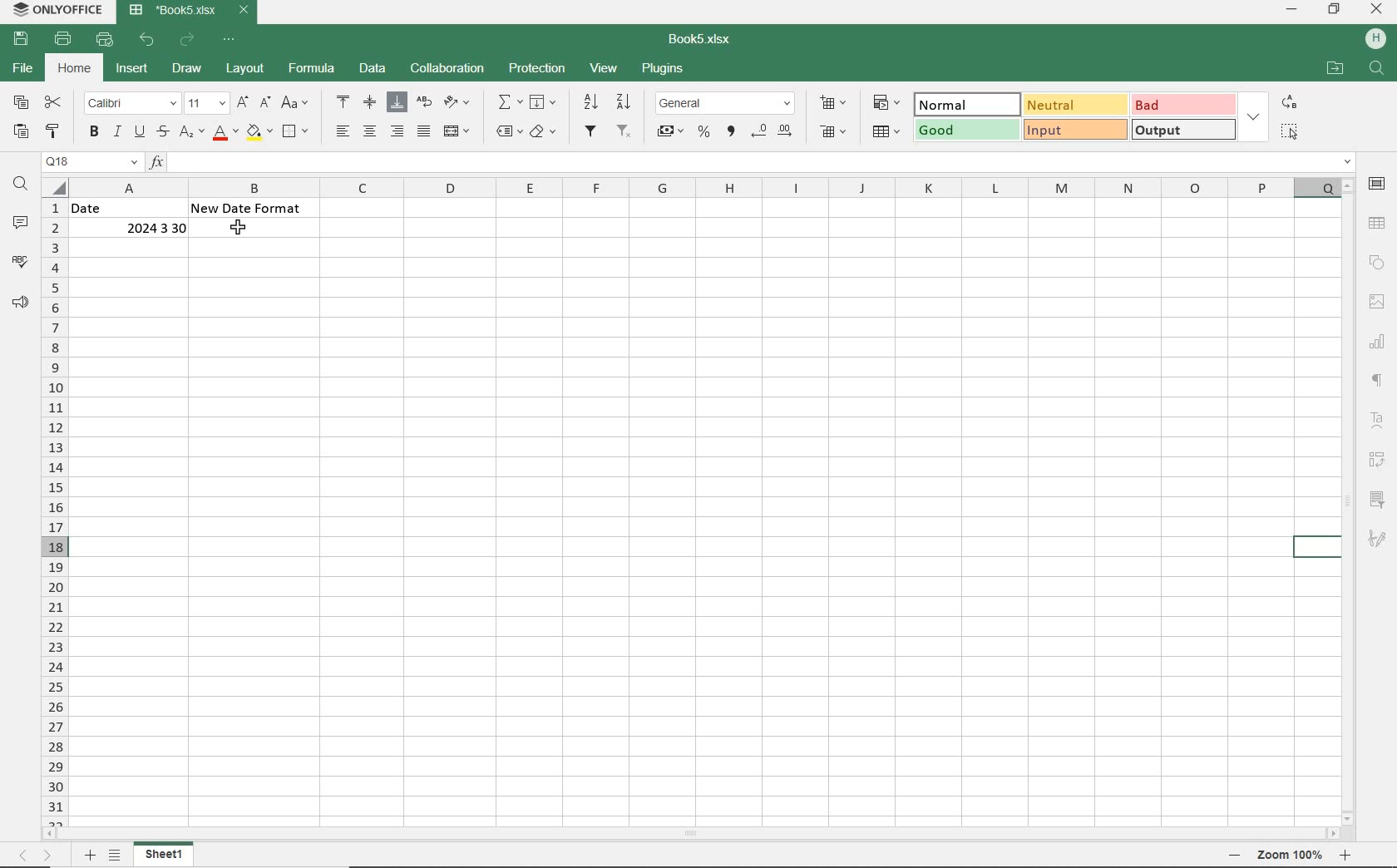  What do you see at coordinates (398, 131) in the screenshot?
I see `ALIGN RIGHT` at bounding box center [398, 131].